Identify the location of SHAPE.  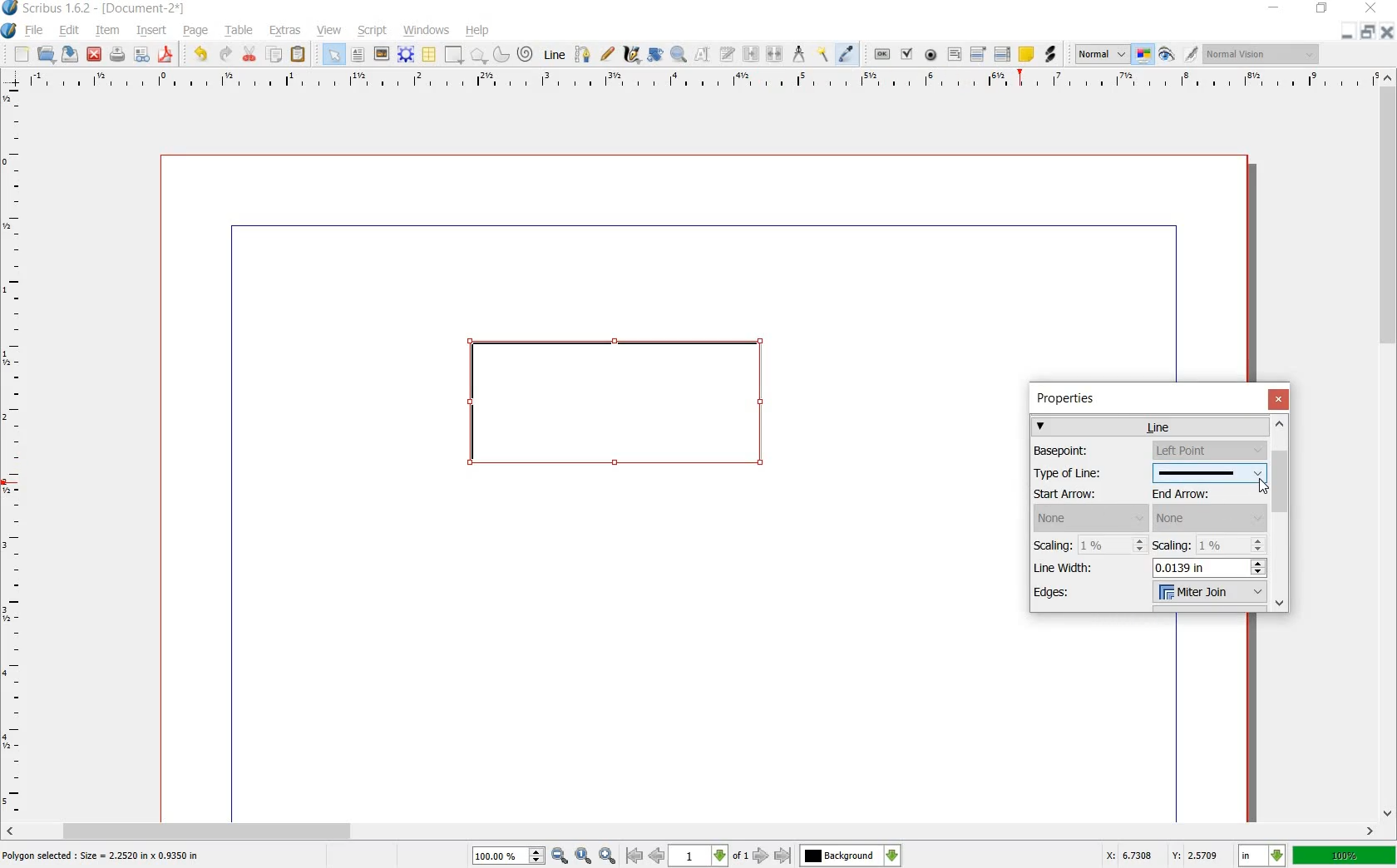
(453, 54).